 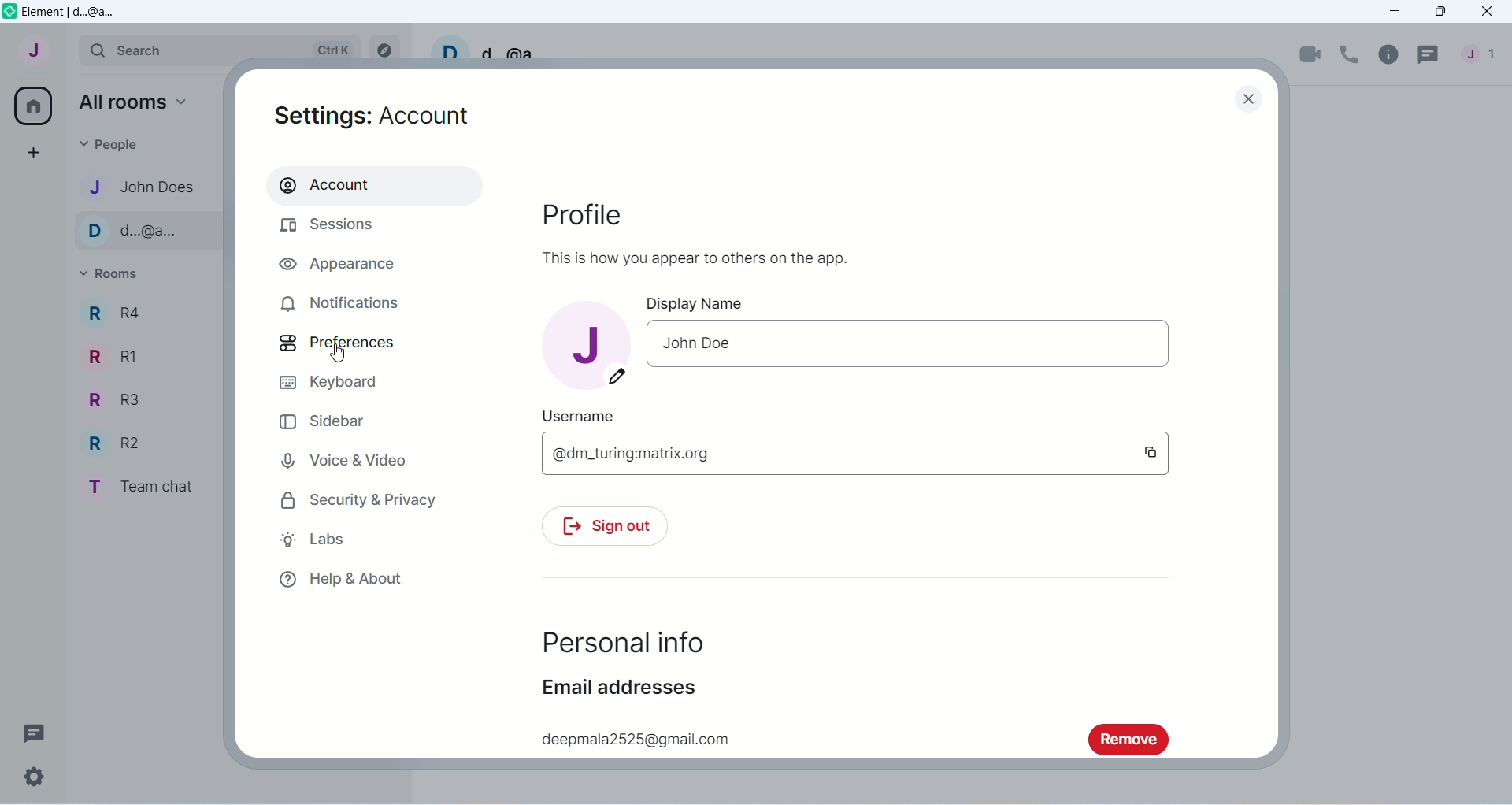 What do you see at coordinates (109, 399) in the screenshot?
I see `Room R3` at bounding box center [109, 399].